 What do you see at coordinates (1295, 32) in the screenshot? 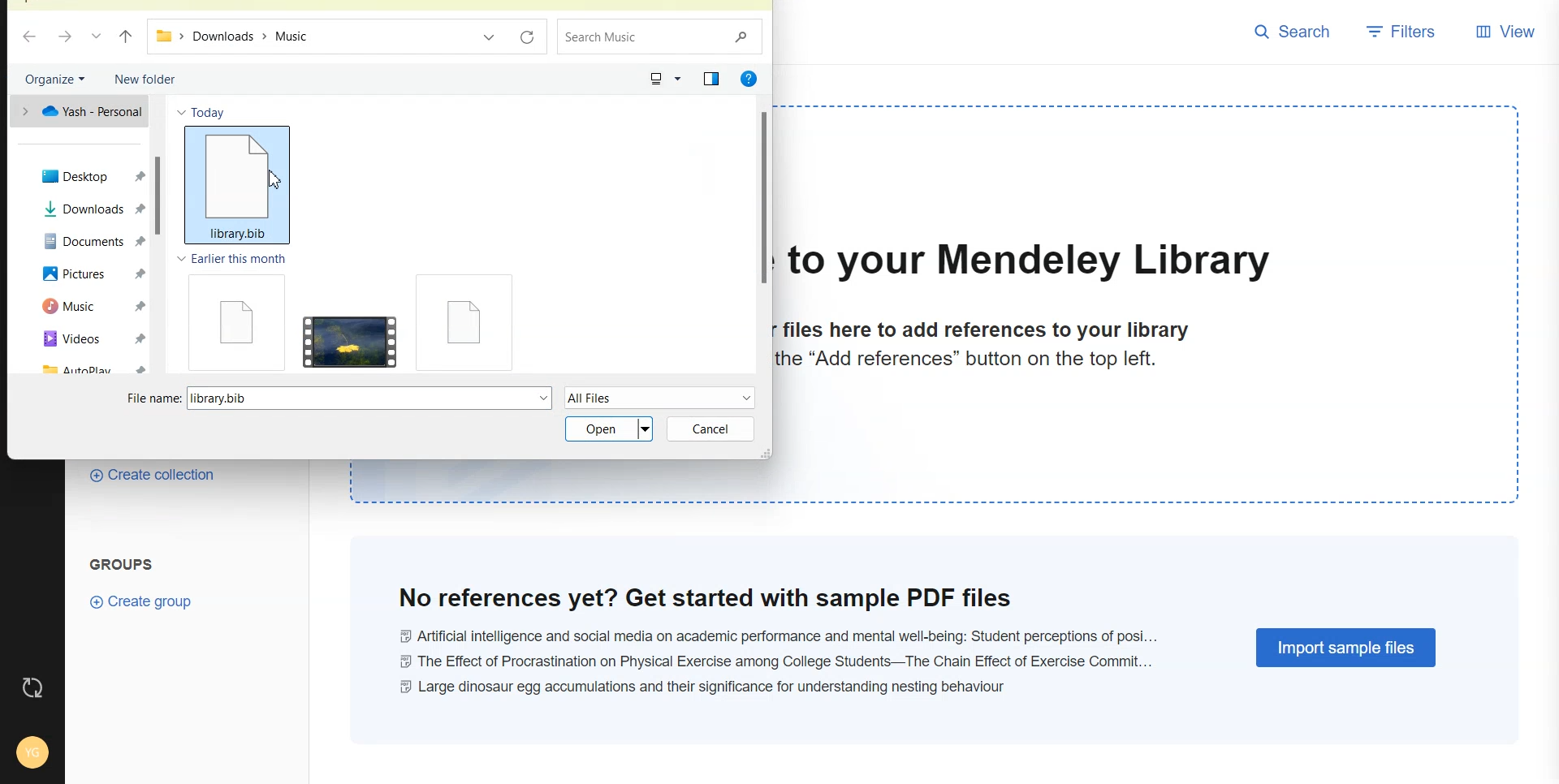
I see `Search` at bounding box center [1295, 32].